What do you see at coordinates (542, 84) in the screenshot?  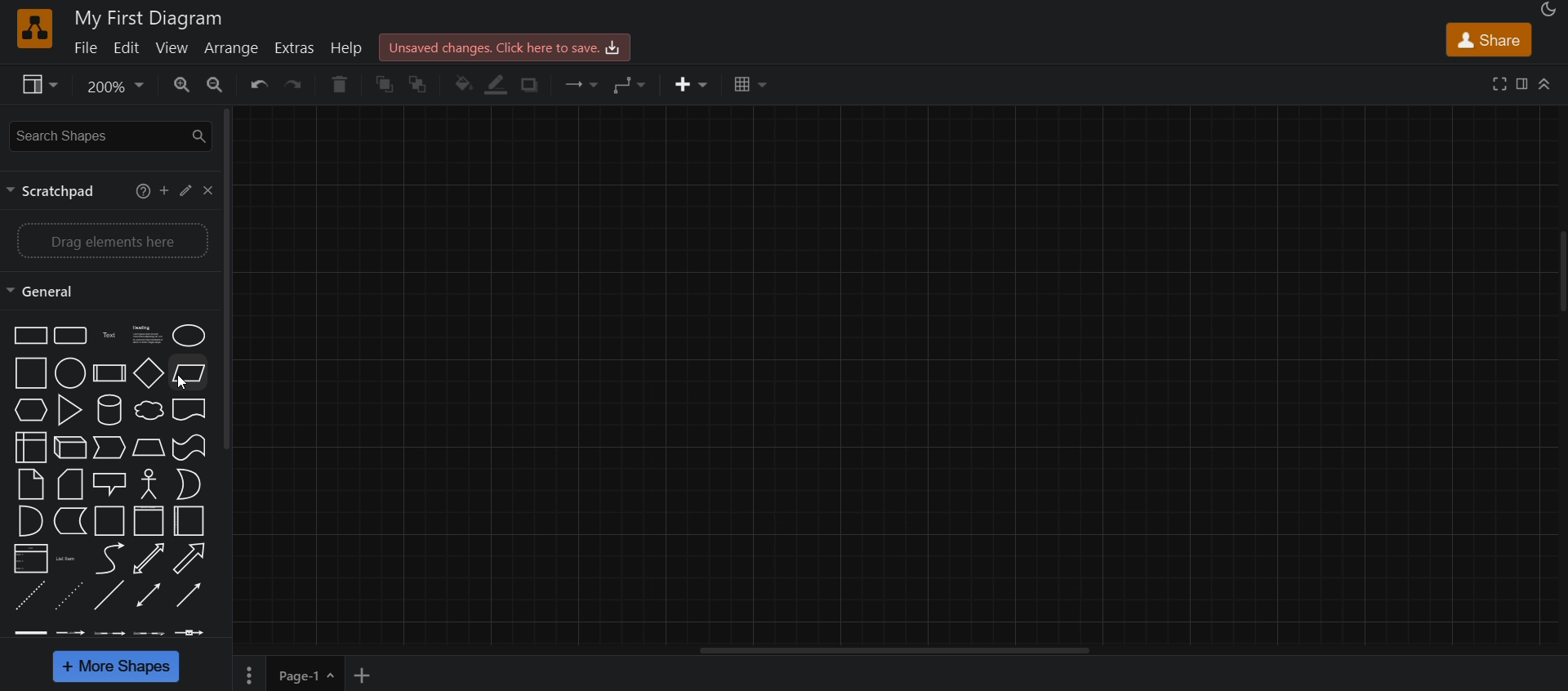 I see `shadow` at bounding box center [542, 84].